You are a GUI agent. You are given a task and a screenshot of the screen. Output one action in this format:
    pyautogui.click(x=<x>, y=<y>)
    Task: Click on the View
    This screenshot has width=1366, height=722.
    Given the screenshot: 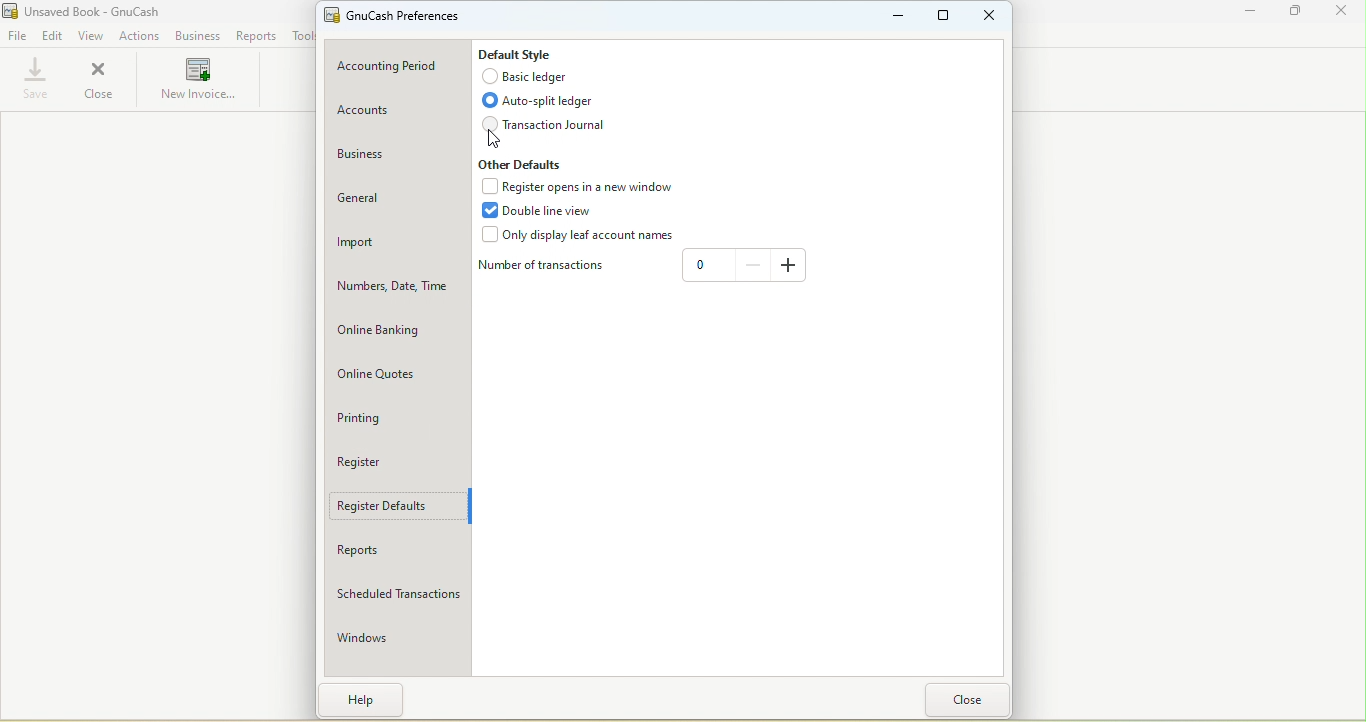 What is the action you would take?
    pyautogui.click(x=92, y=36)
    